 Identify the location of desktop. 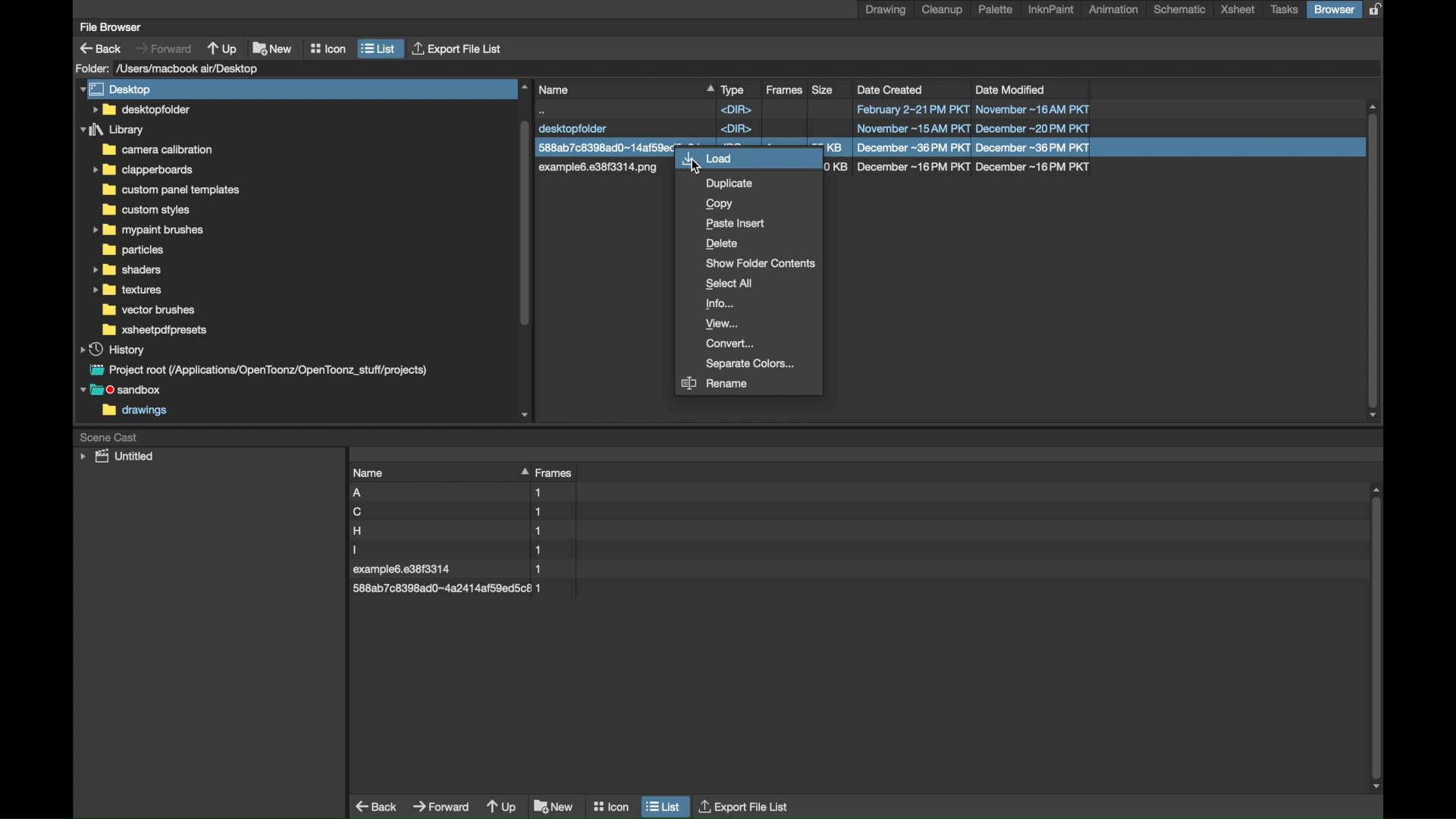
(118, 89).